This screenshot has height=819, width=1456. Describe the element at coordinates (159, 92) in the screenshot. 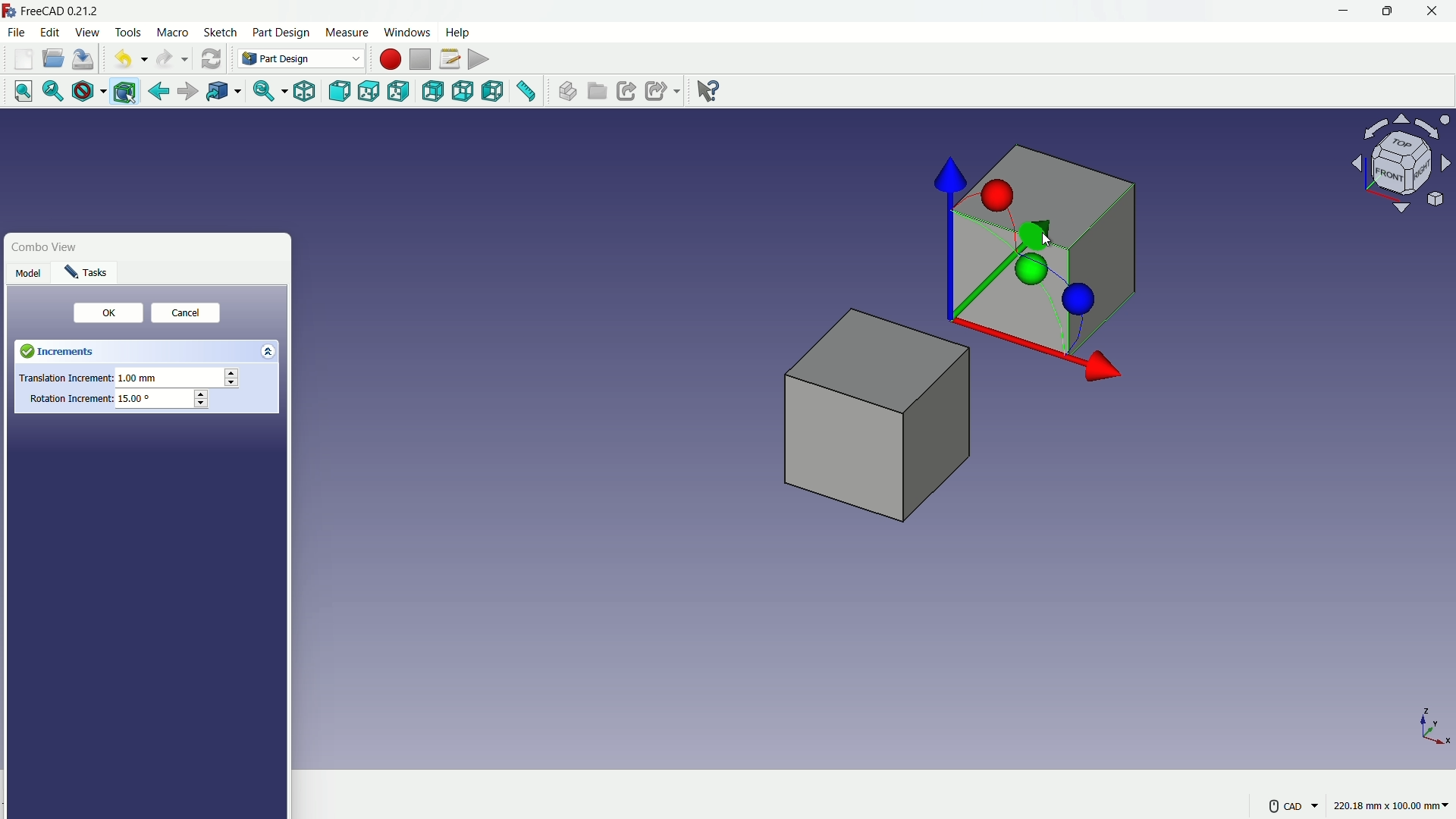

I see `go back` at that location.